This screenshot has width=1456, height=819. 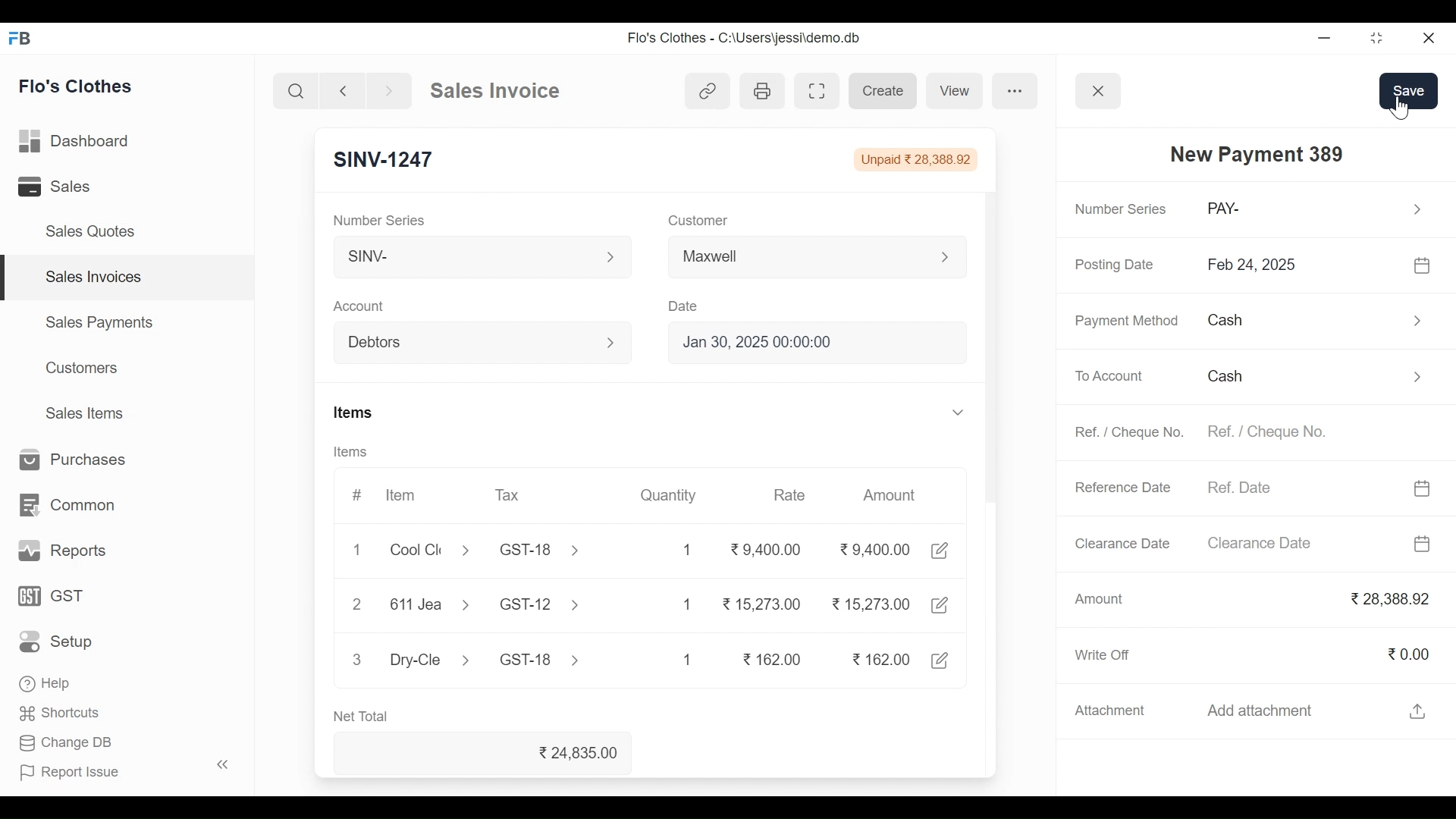 What do you see at coordinates (1125, 547) in the screenshot?
I see `Clearance Date` at bounding box center [1125, 547].